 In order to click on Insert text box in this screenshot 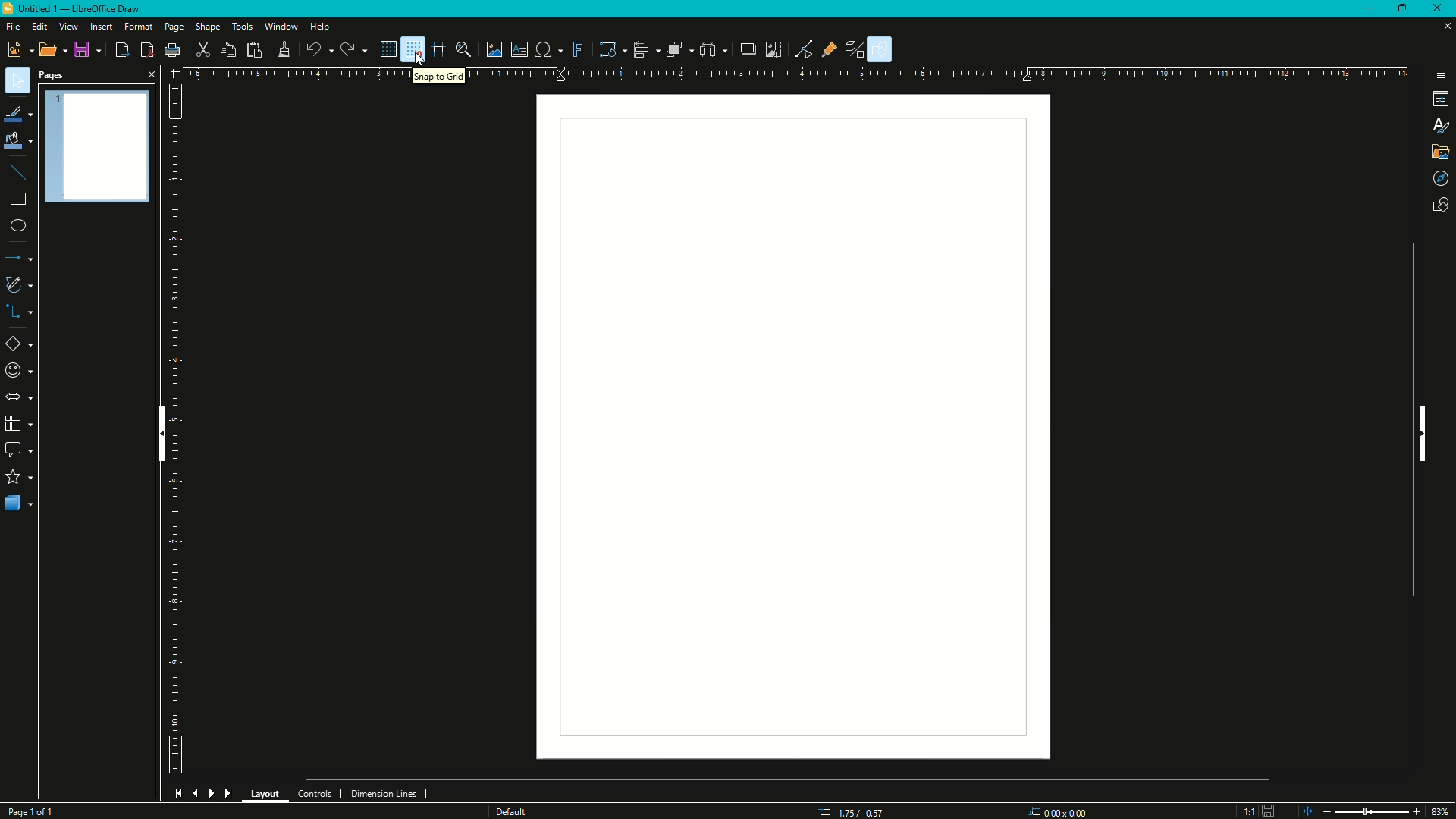, I will do `click(517, 49)`.